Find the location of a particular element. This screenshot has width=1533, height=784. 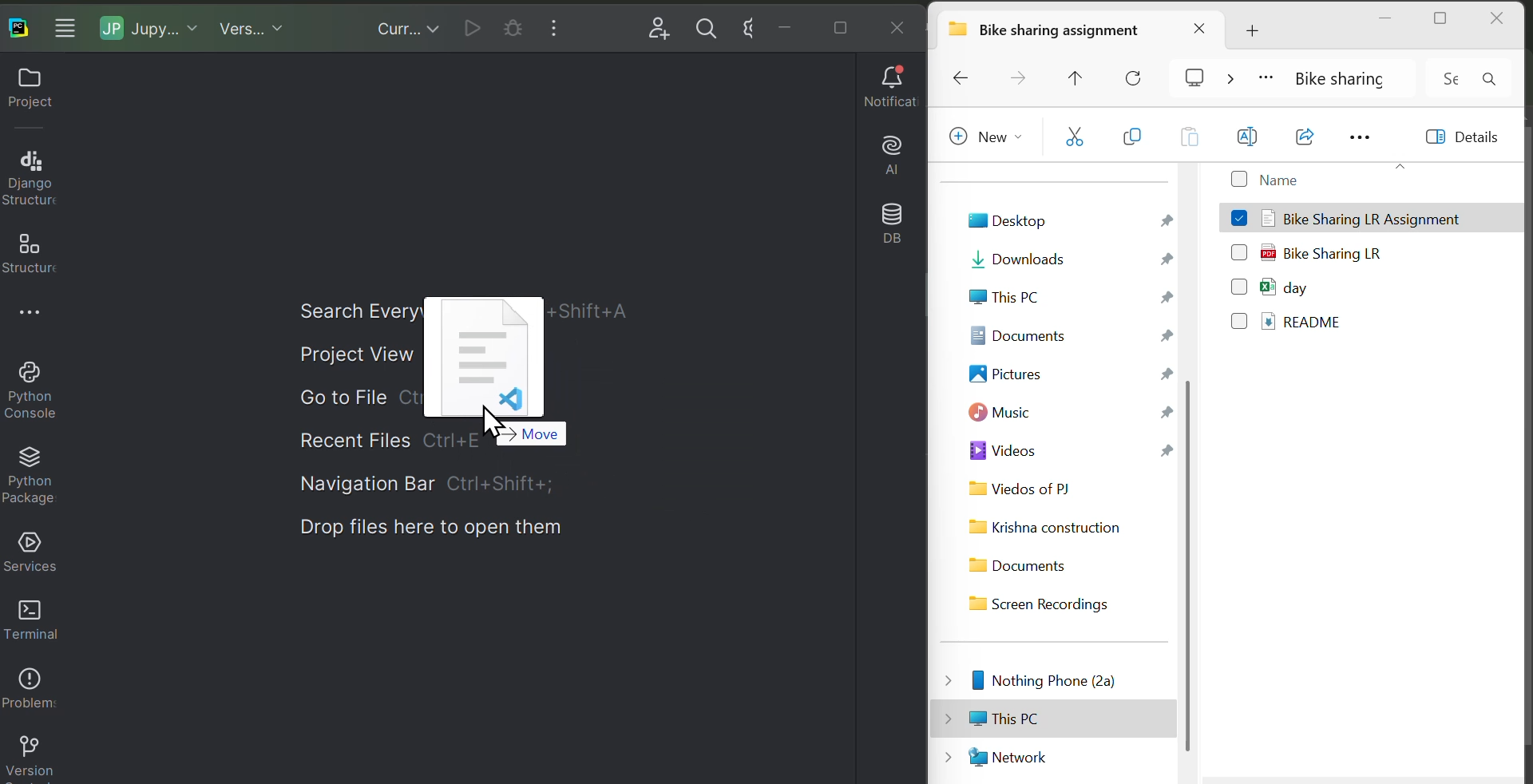

Downloads is located at coordinates (1066, 264).